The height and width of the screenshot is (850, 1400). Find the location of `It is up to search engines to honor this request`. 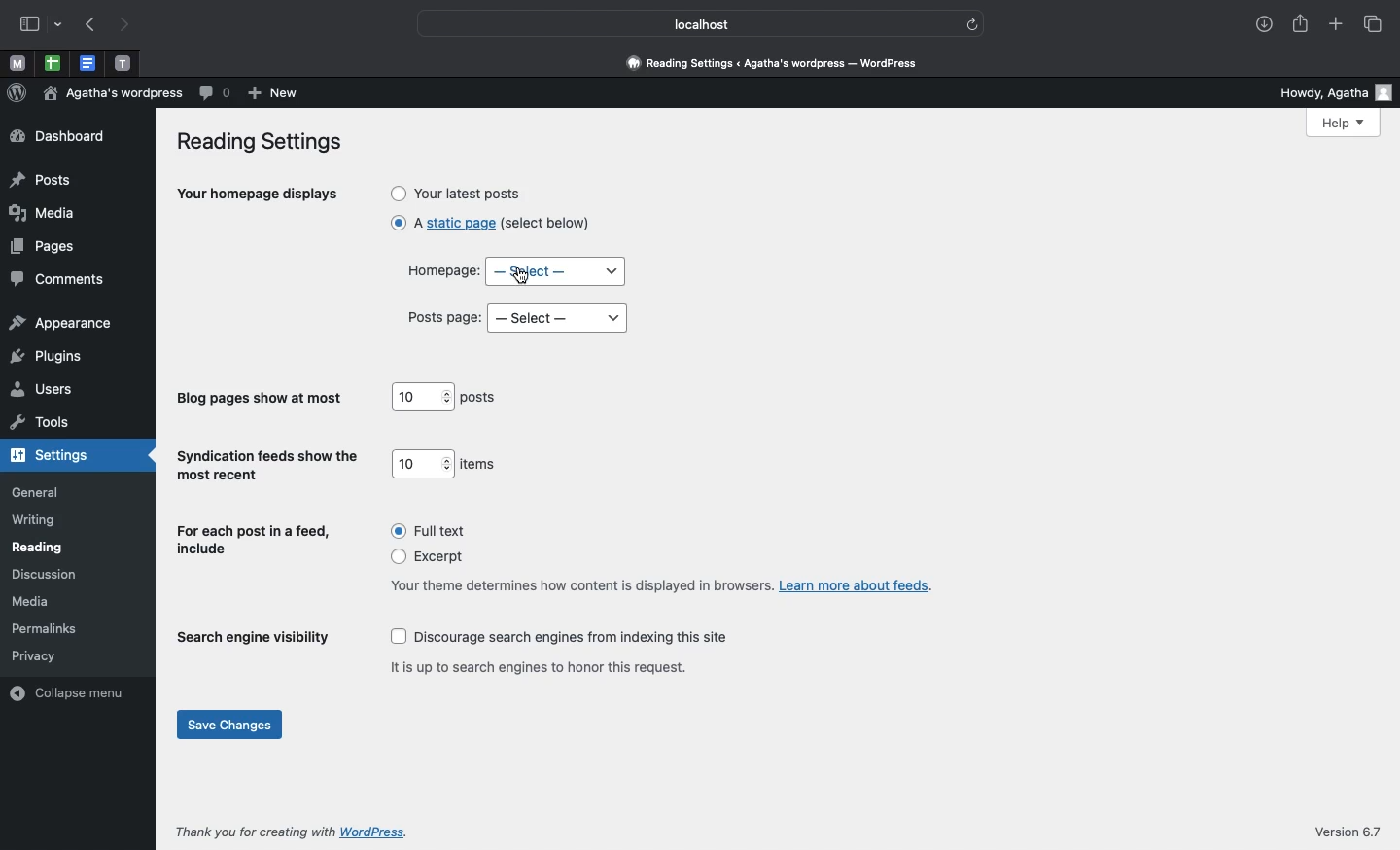

It is up to search engines to honor this request is located at coordinates (545, 666).